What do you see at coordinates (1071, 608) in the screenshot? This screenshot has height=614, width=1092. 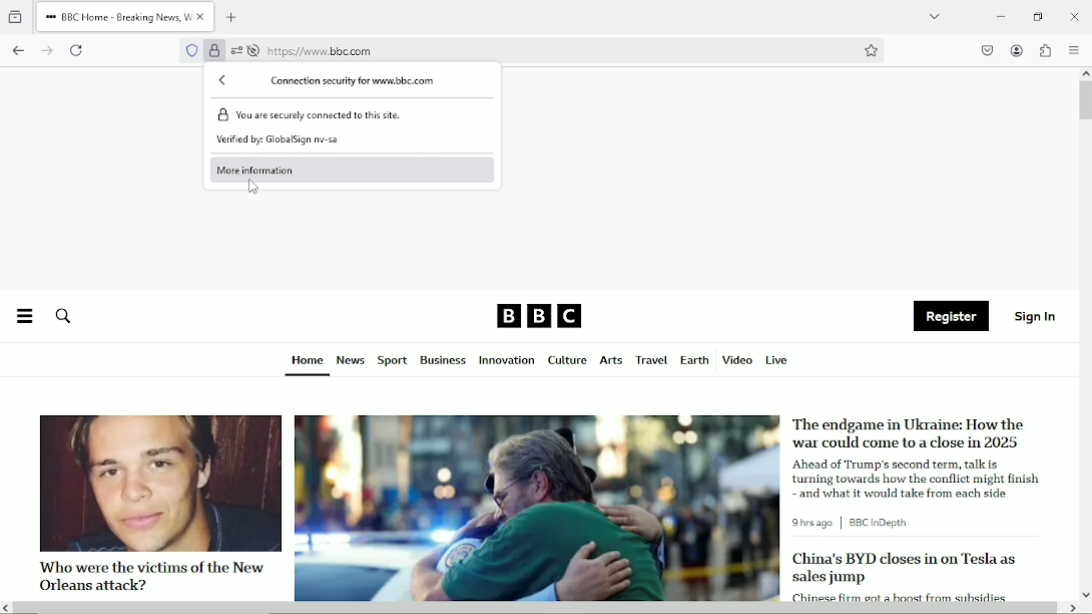 I see `scroll right` at bounding box center [1071, 608].